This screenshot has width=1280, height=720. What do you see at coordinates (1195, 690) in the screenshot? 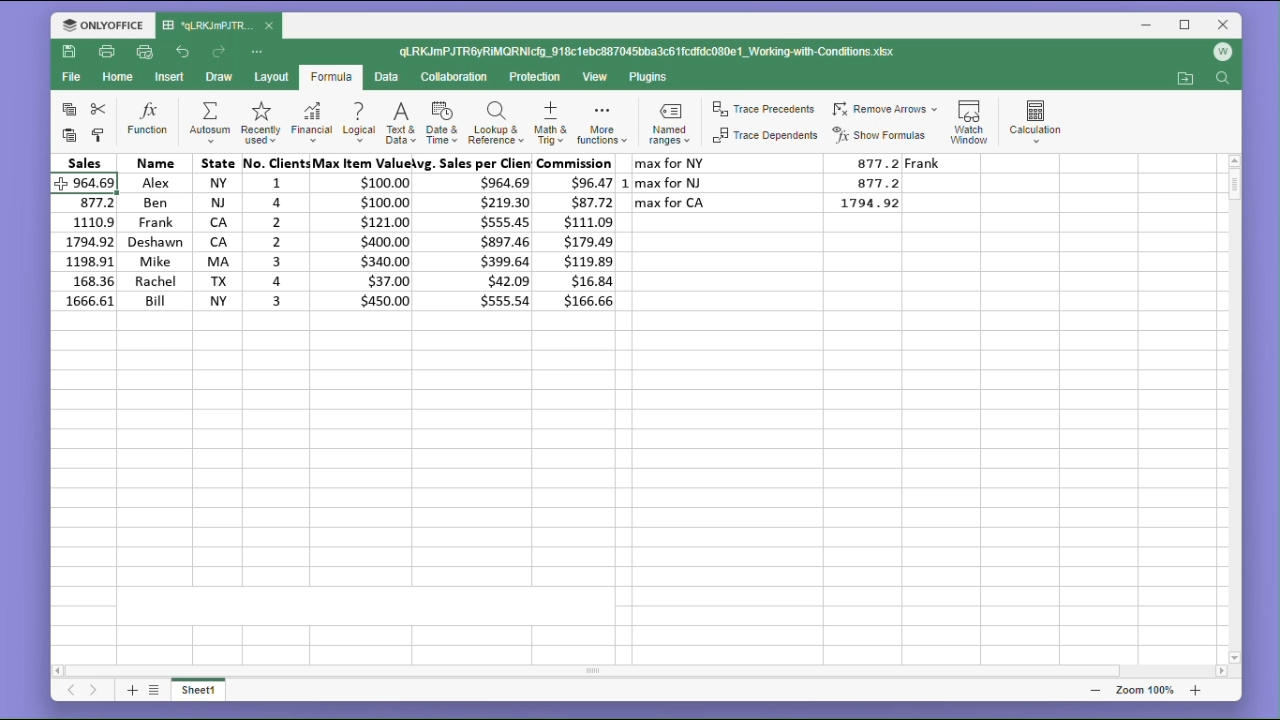
I see `zoom in` at bounding box center [1195, 690].